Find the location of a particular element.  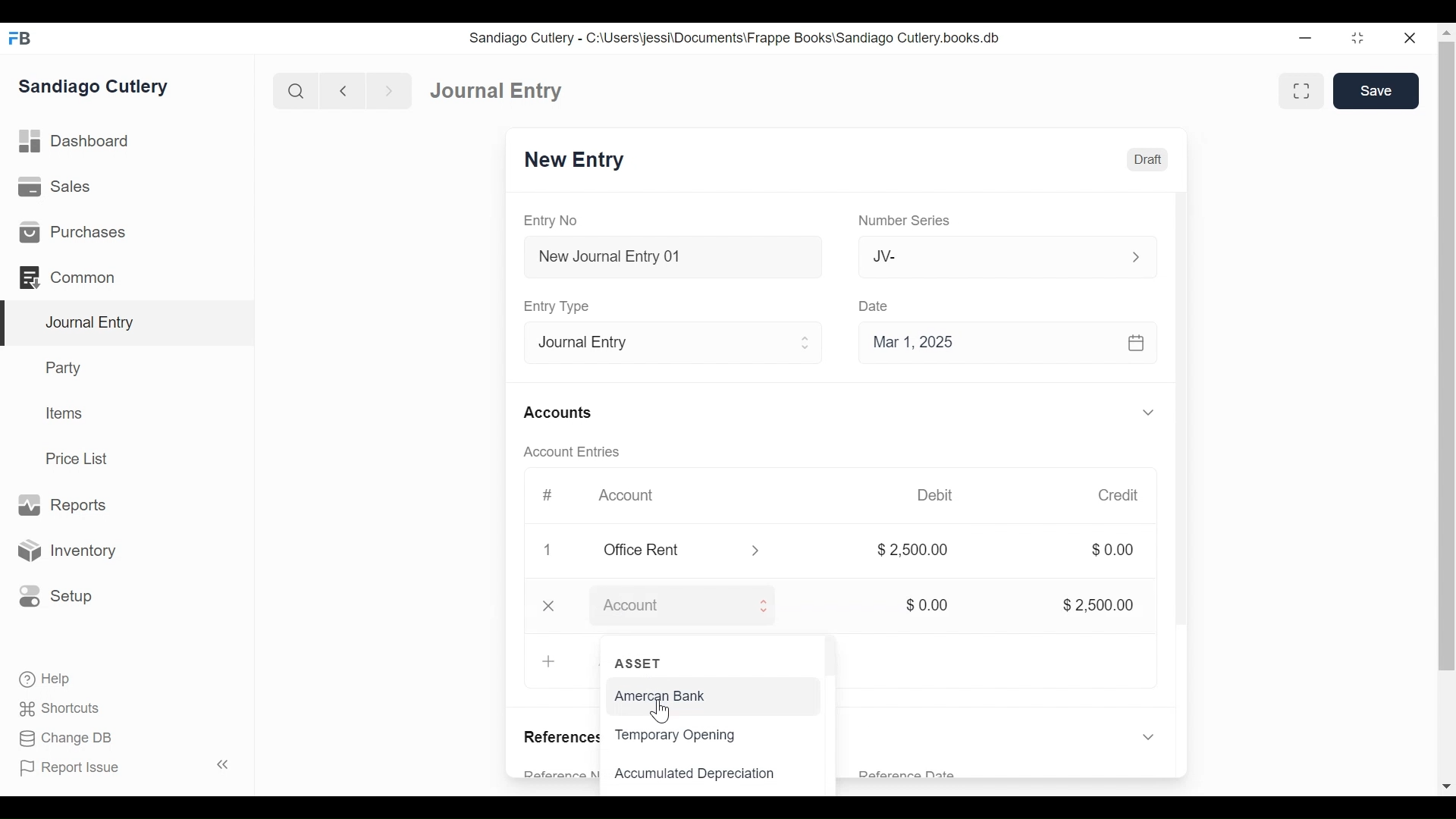

References is located at coordinates (562, 733).